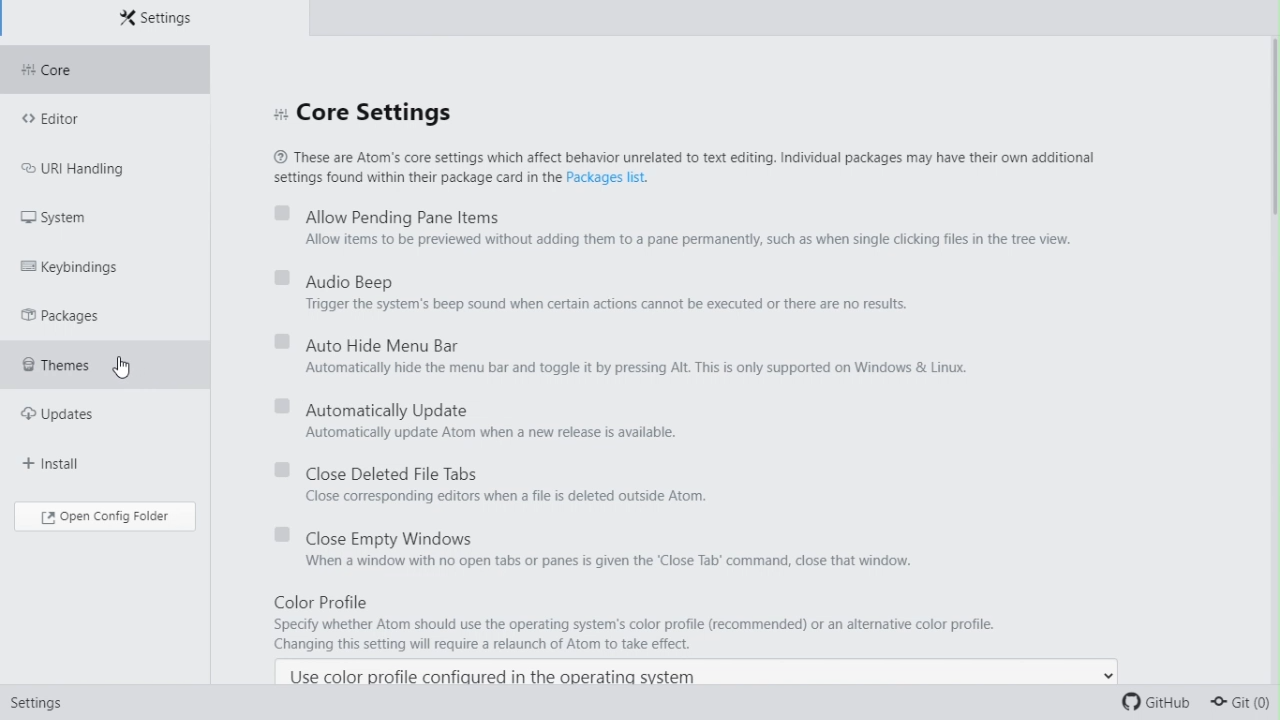 Image resolution: width=1280 pixels, height=720 pixels. Describe the element at coordinates (604, 551) in the screenshot. I see `Clothes empty Windows` at that location.